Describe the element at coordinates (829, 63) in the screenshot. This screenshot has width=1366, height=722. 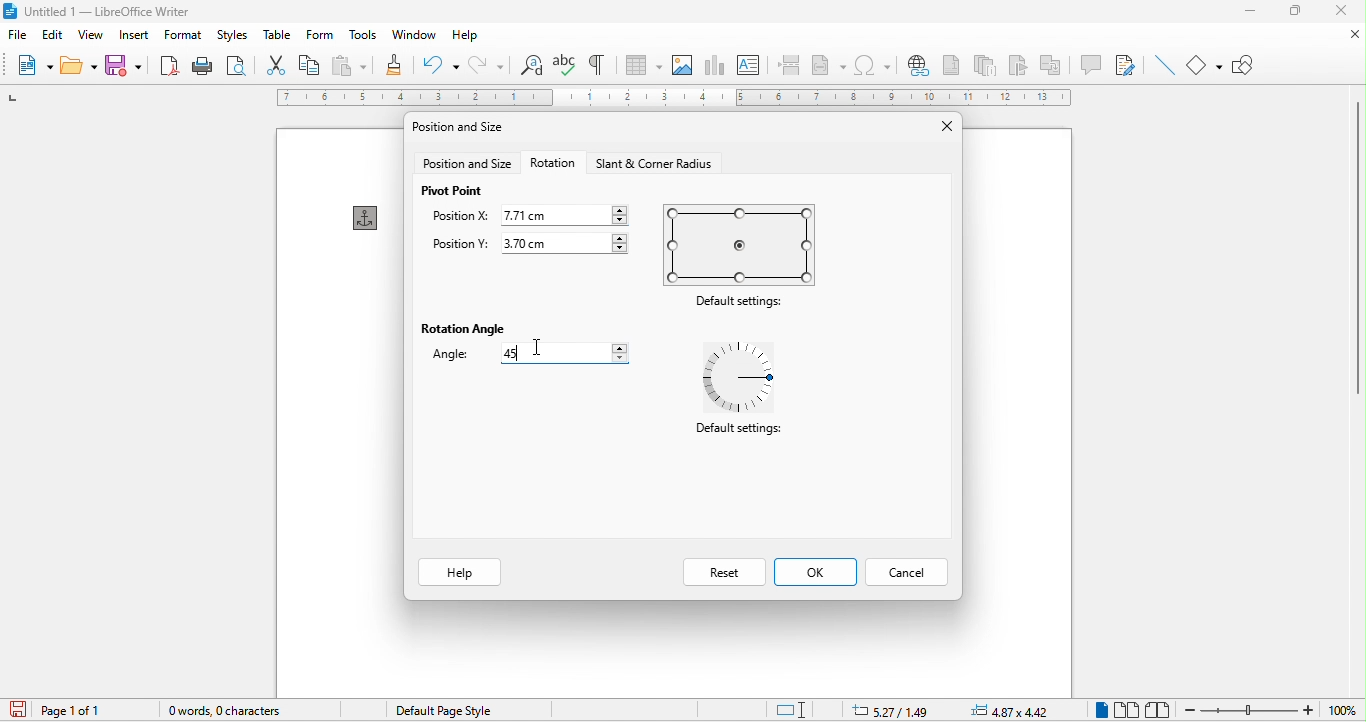
I see `field` at that location.